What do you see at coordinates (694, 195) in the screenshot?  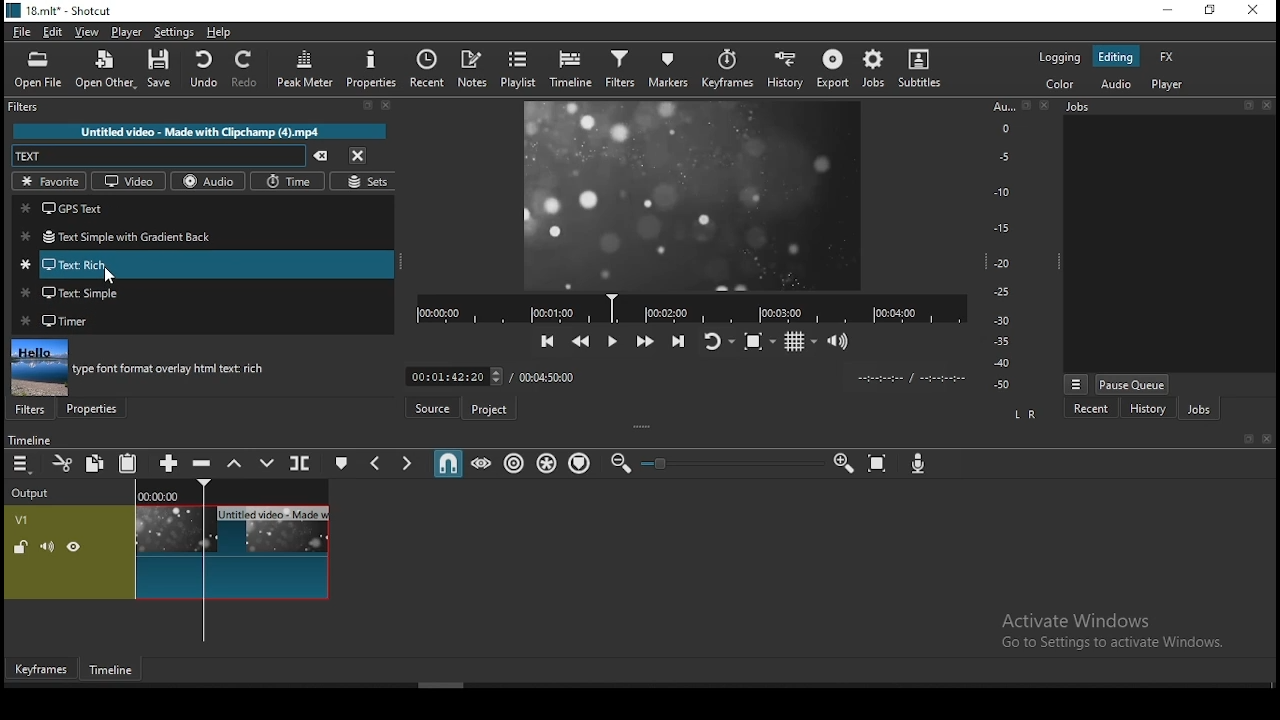 I see `video preview` at bounding box center [694, 195].